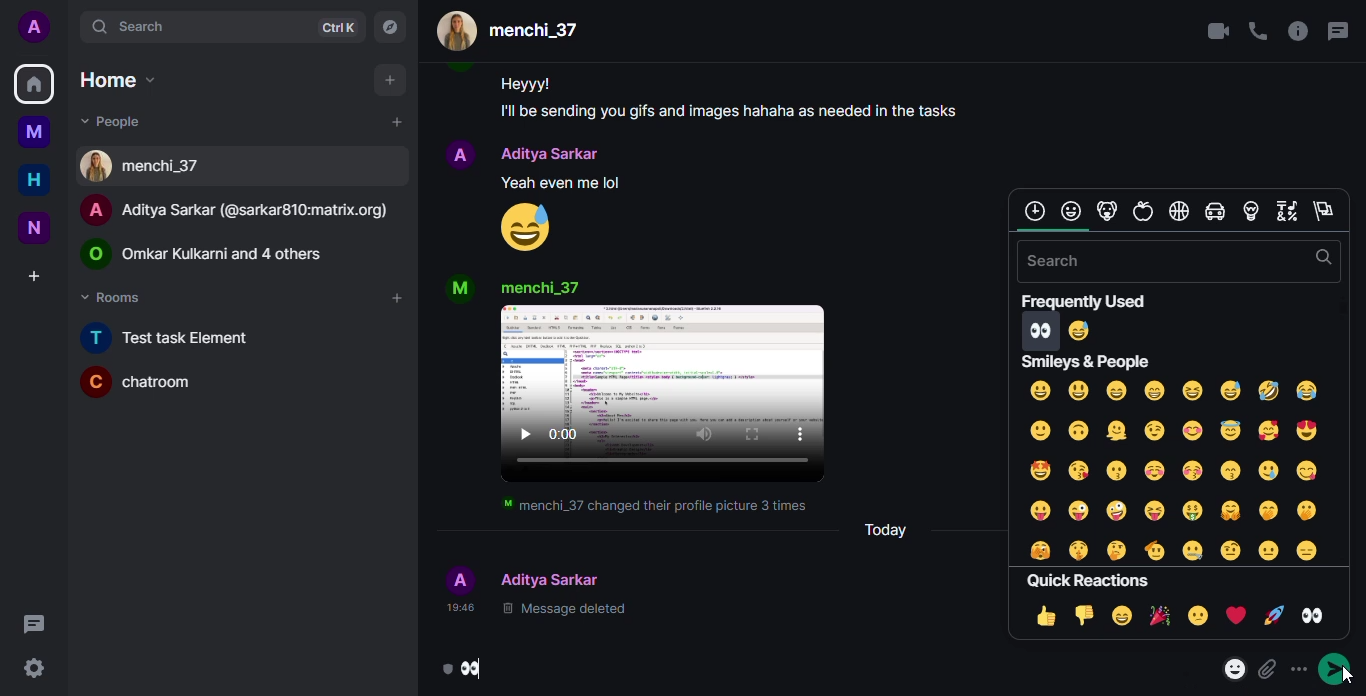 The width and height of the screenshot is (1366, 696). I want to click on message deleted, so click(566, 610).